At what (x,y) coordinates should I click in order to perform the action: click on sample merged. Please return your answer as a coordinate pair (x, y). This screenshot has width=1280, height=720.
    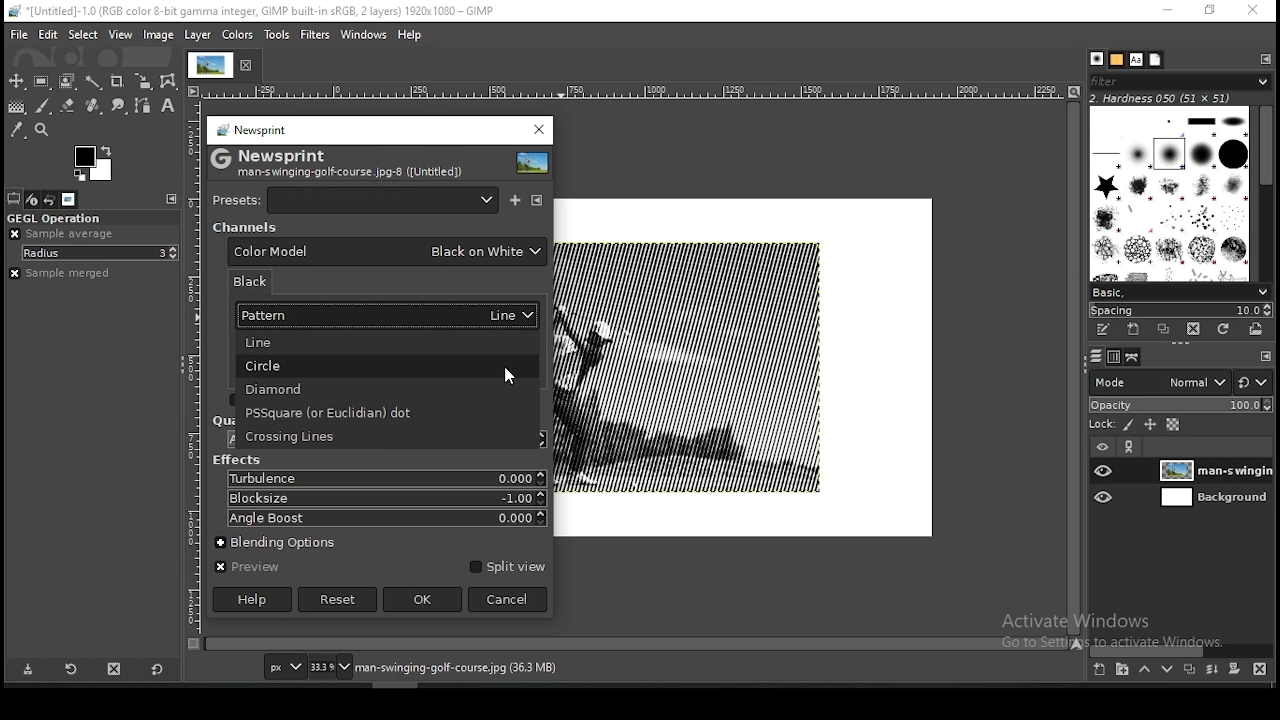
    Looking at the image, I should click on (79, 275).